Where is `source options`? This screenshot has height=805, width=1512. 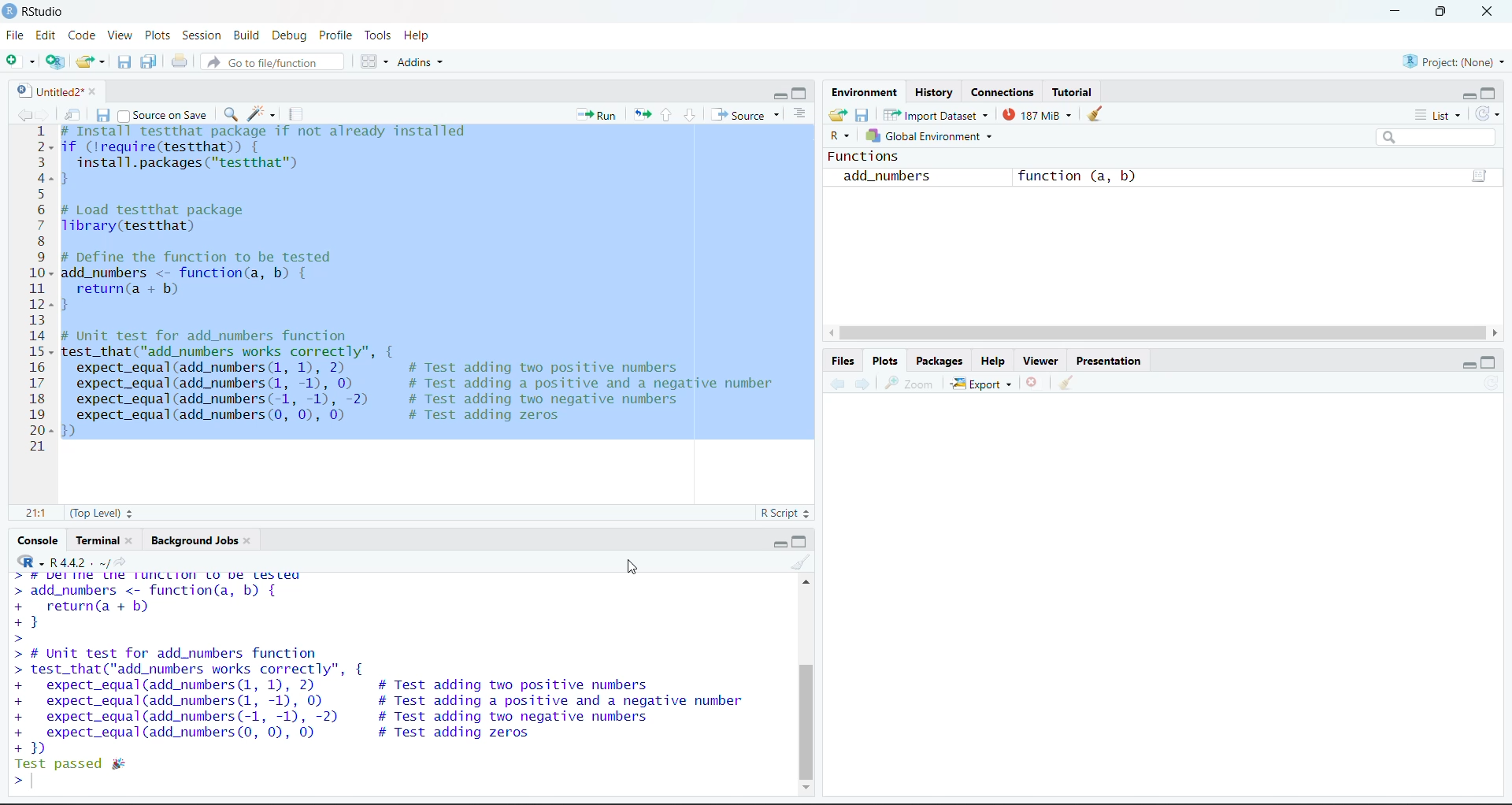 source options is located at coordinates (780, 115).